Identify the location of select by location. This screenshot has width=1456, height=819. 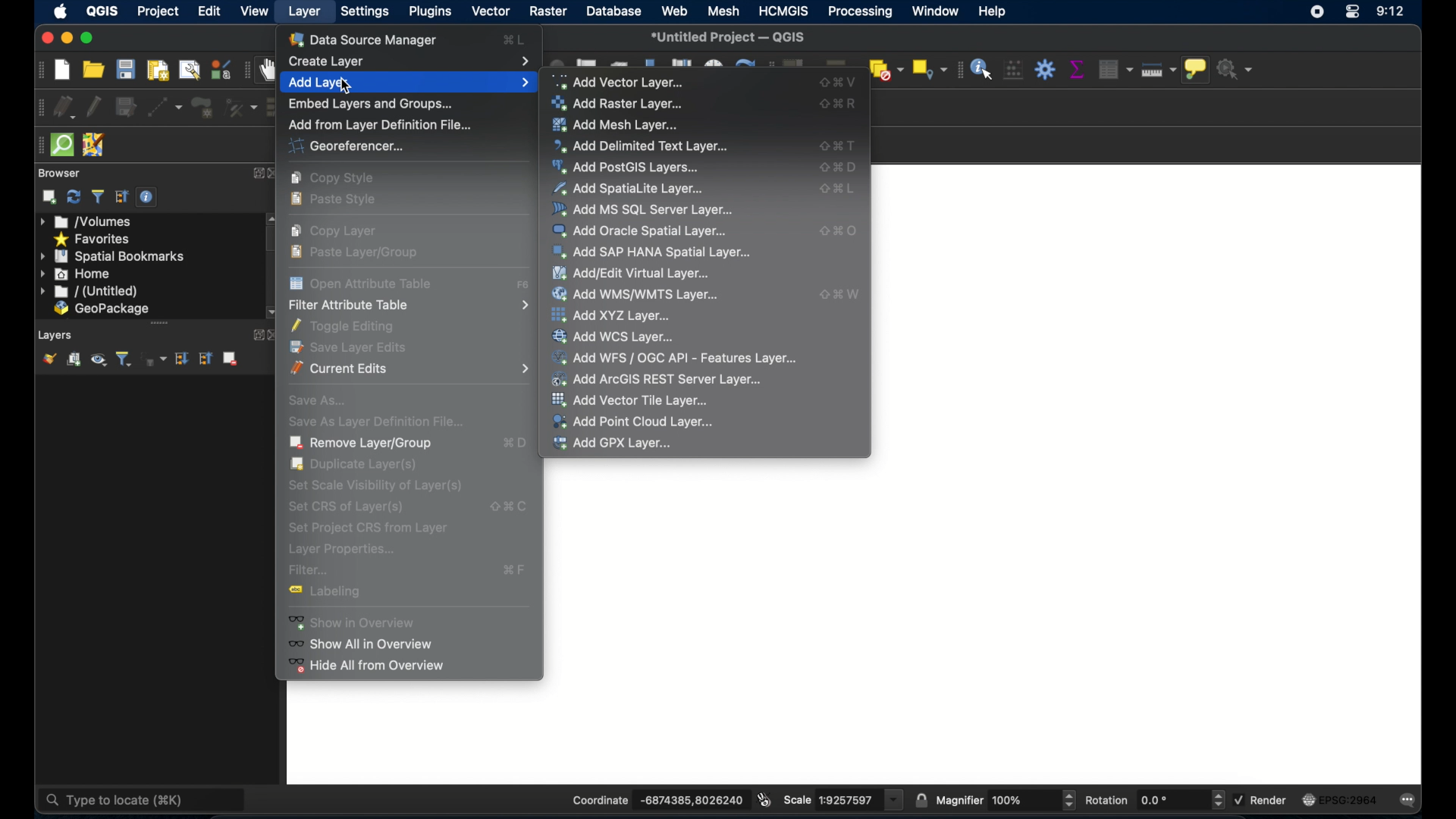
(930, 69).